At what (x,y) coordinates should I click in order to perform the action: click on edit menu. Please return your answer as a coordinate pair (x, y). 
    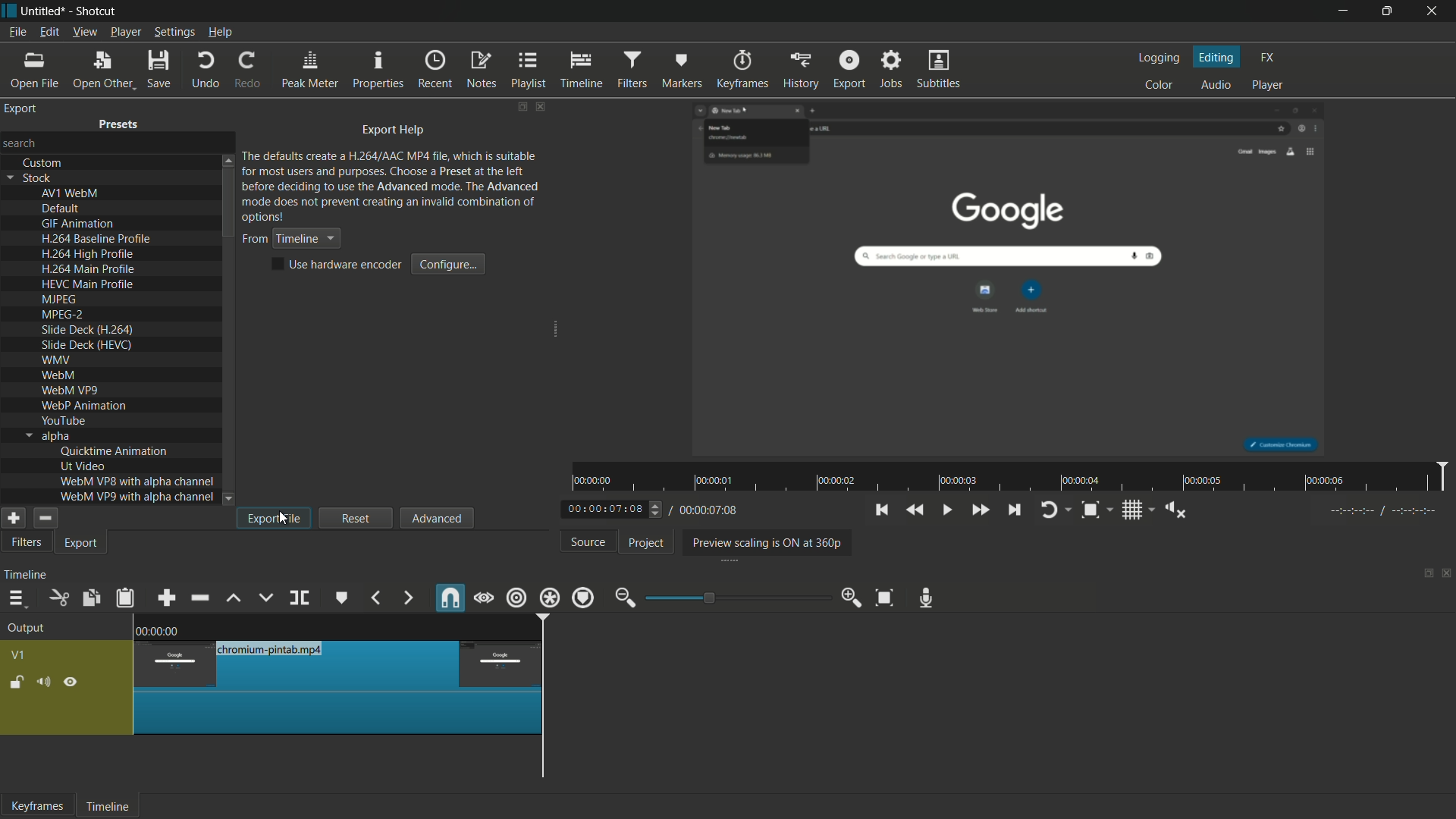
    Looking at the image, I should click on (48, 32).